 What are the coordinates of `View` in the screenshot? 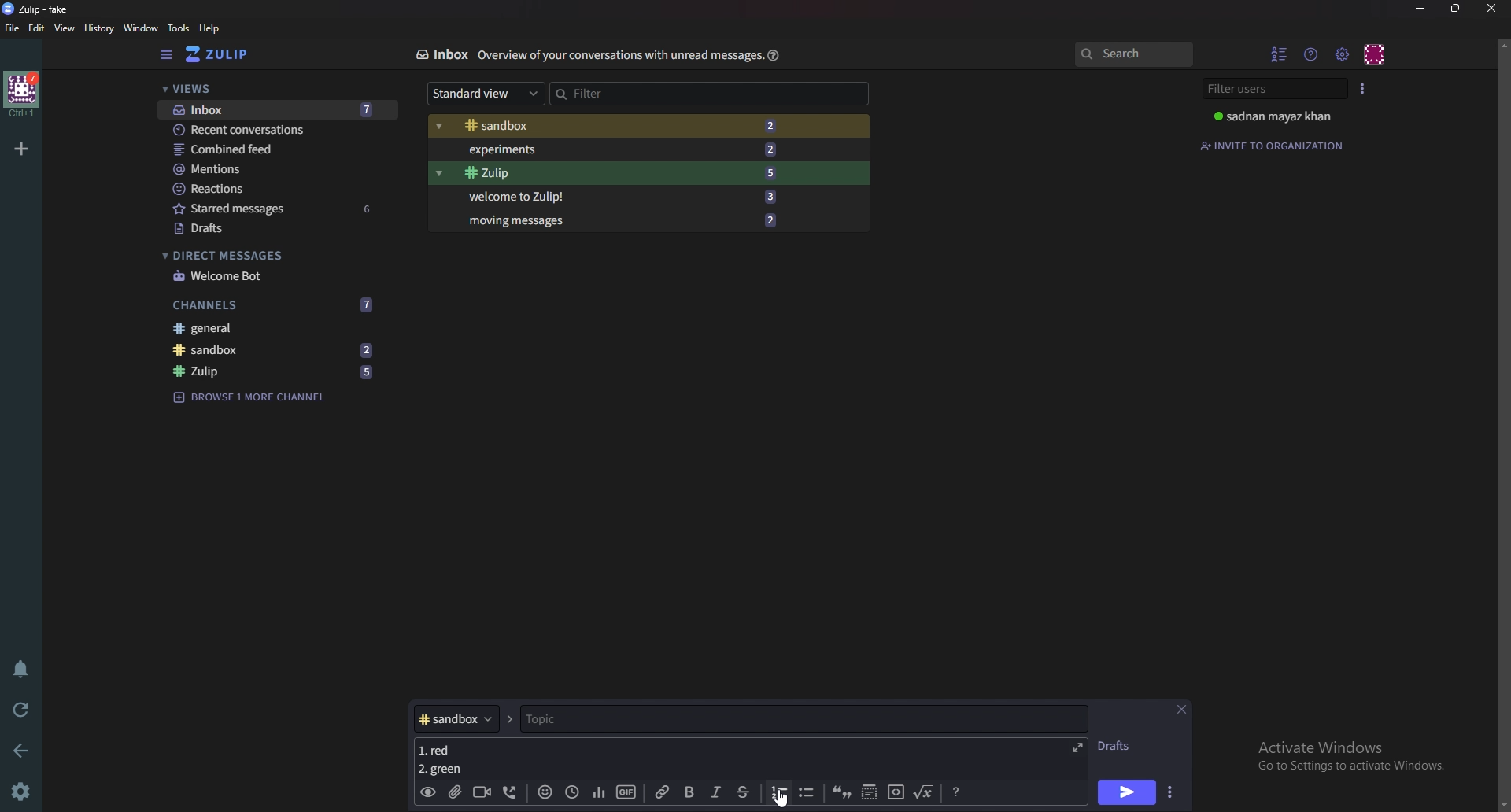 It's located at (65, 29).